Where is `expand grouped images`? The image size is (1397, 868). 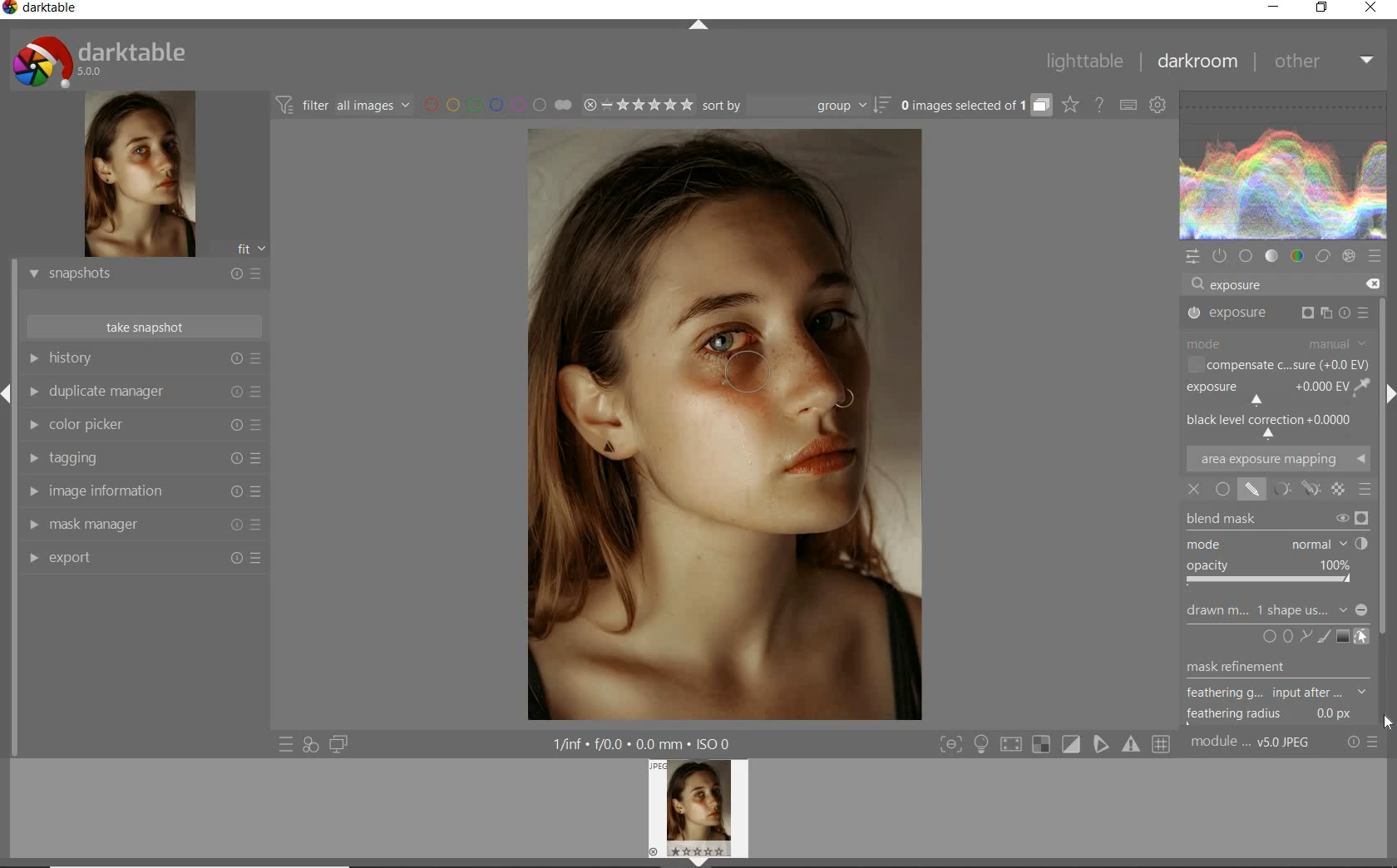
expand grouped images is located at coordinates (974, 106).